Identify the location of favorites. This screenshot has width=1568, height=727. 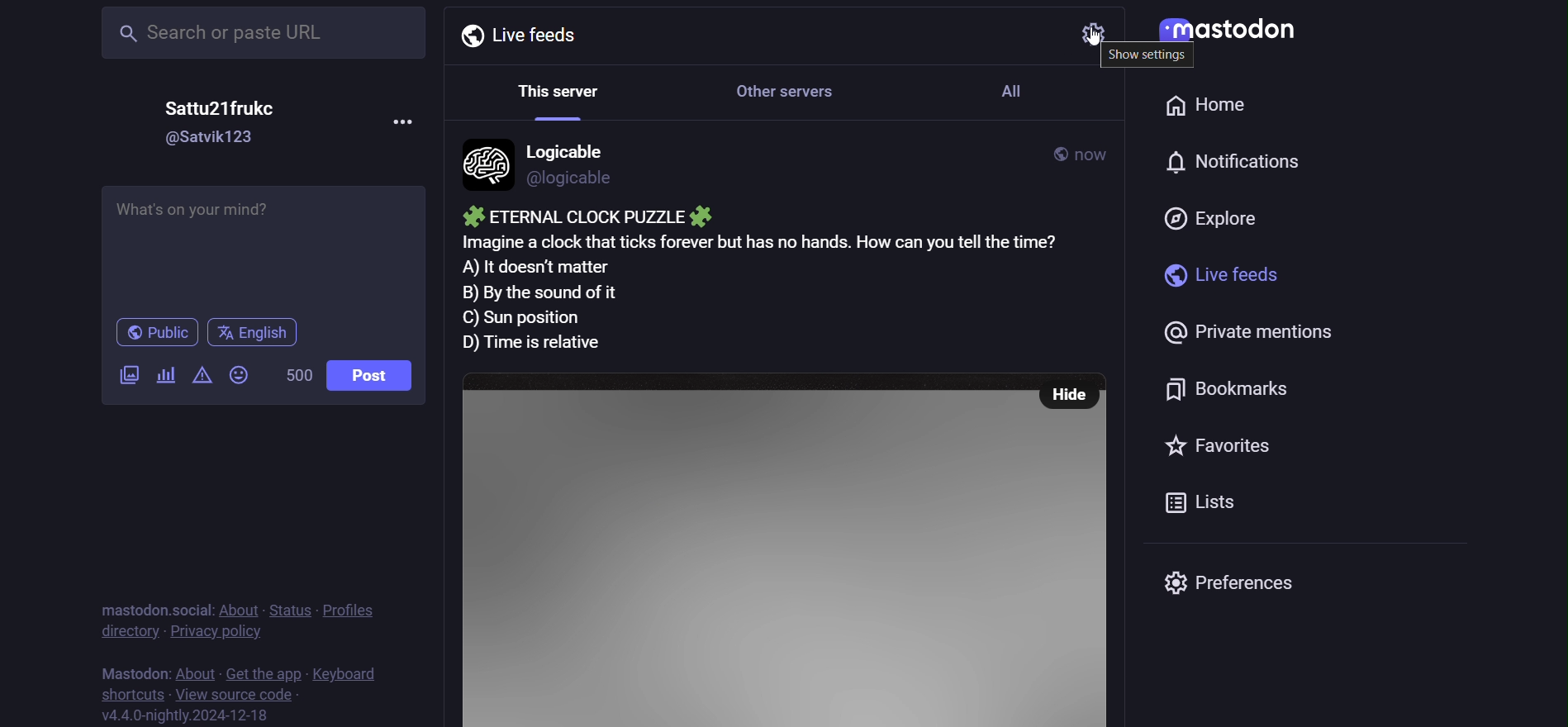
(1207, 448).